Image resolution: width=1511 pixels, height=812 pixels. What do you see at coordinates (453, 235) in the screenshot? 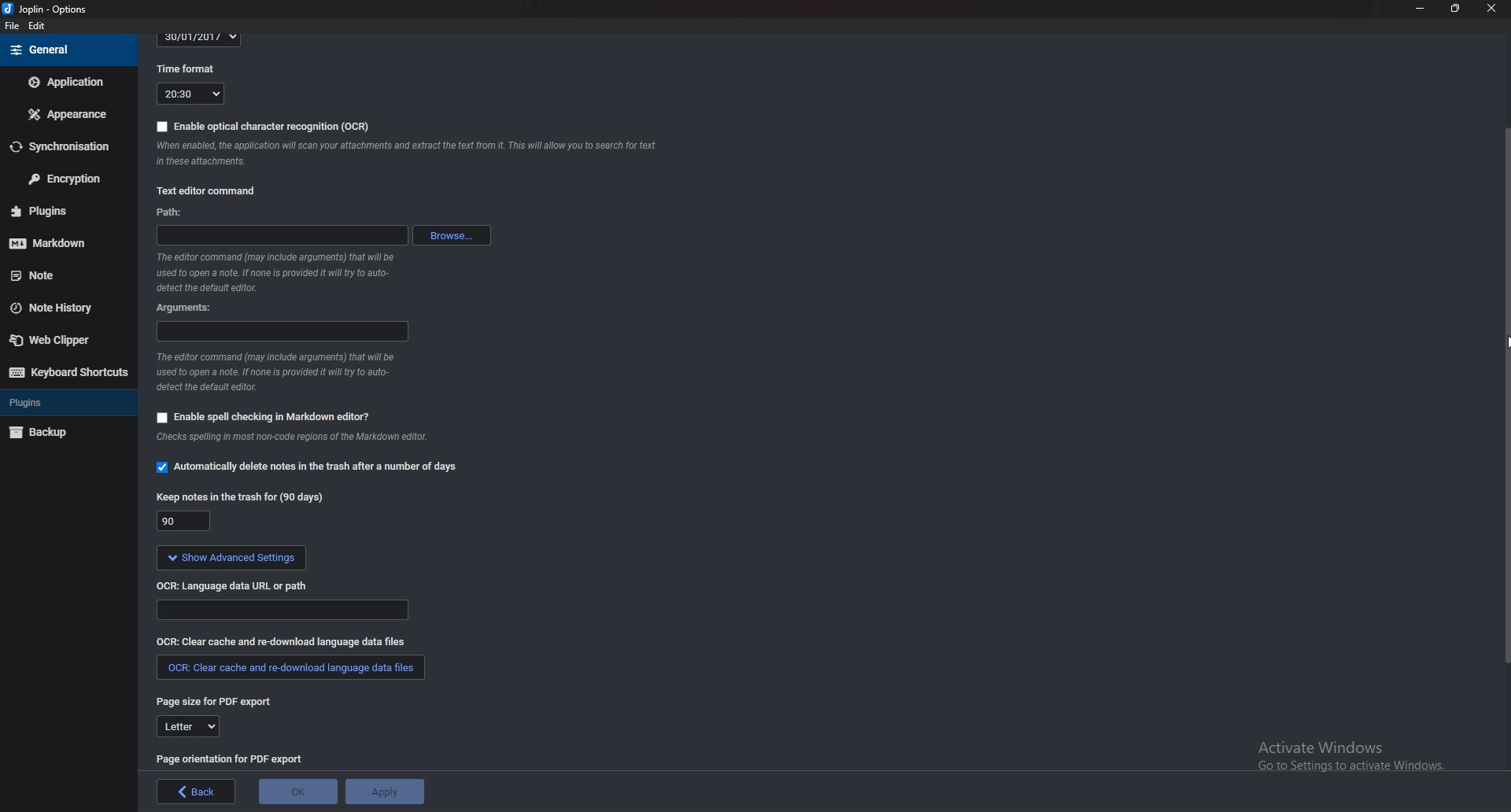
I see `browse` at bounding box center [453, 235].